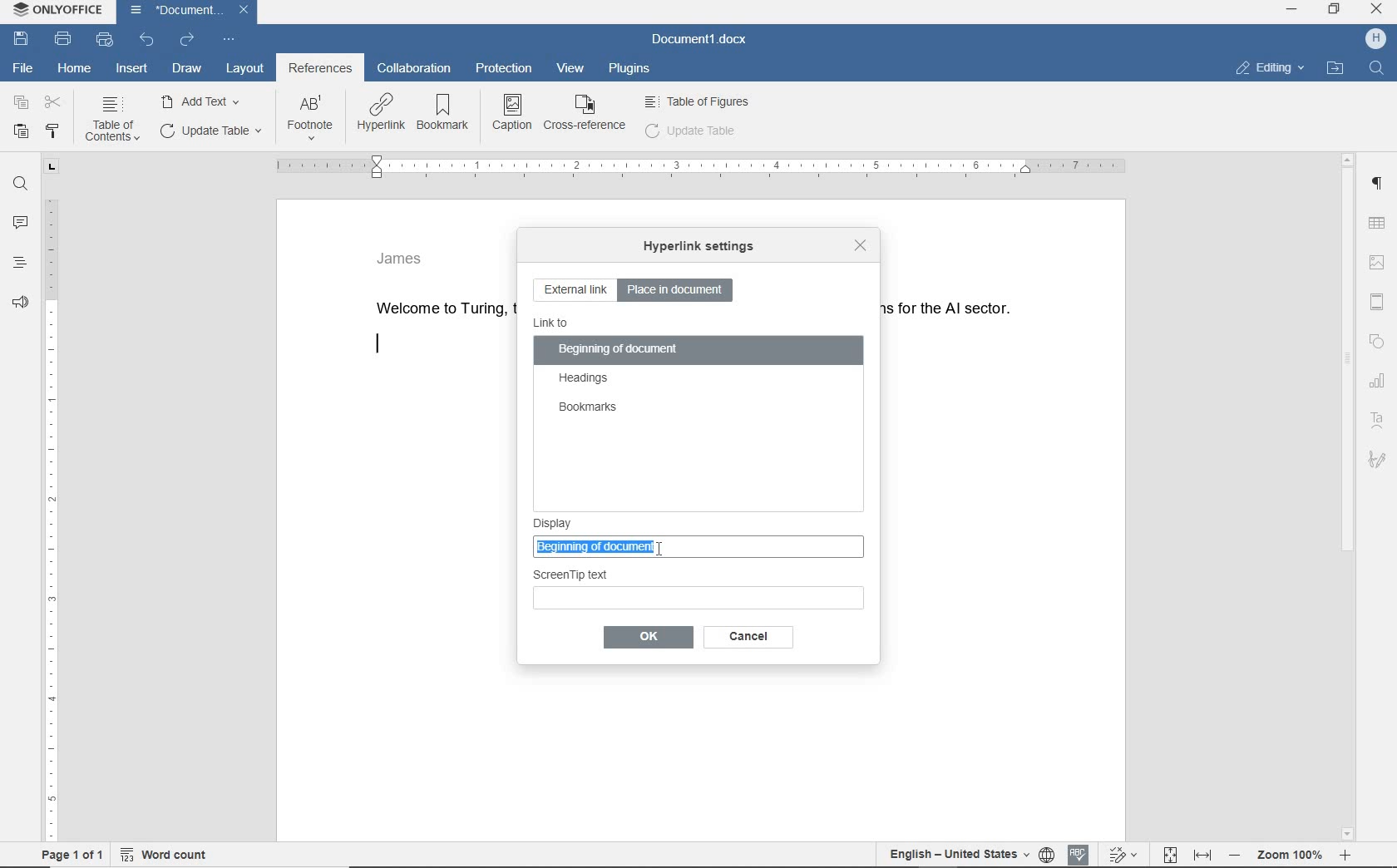  I want to click on home, so click(74, 69).